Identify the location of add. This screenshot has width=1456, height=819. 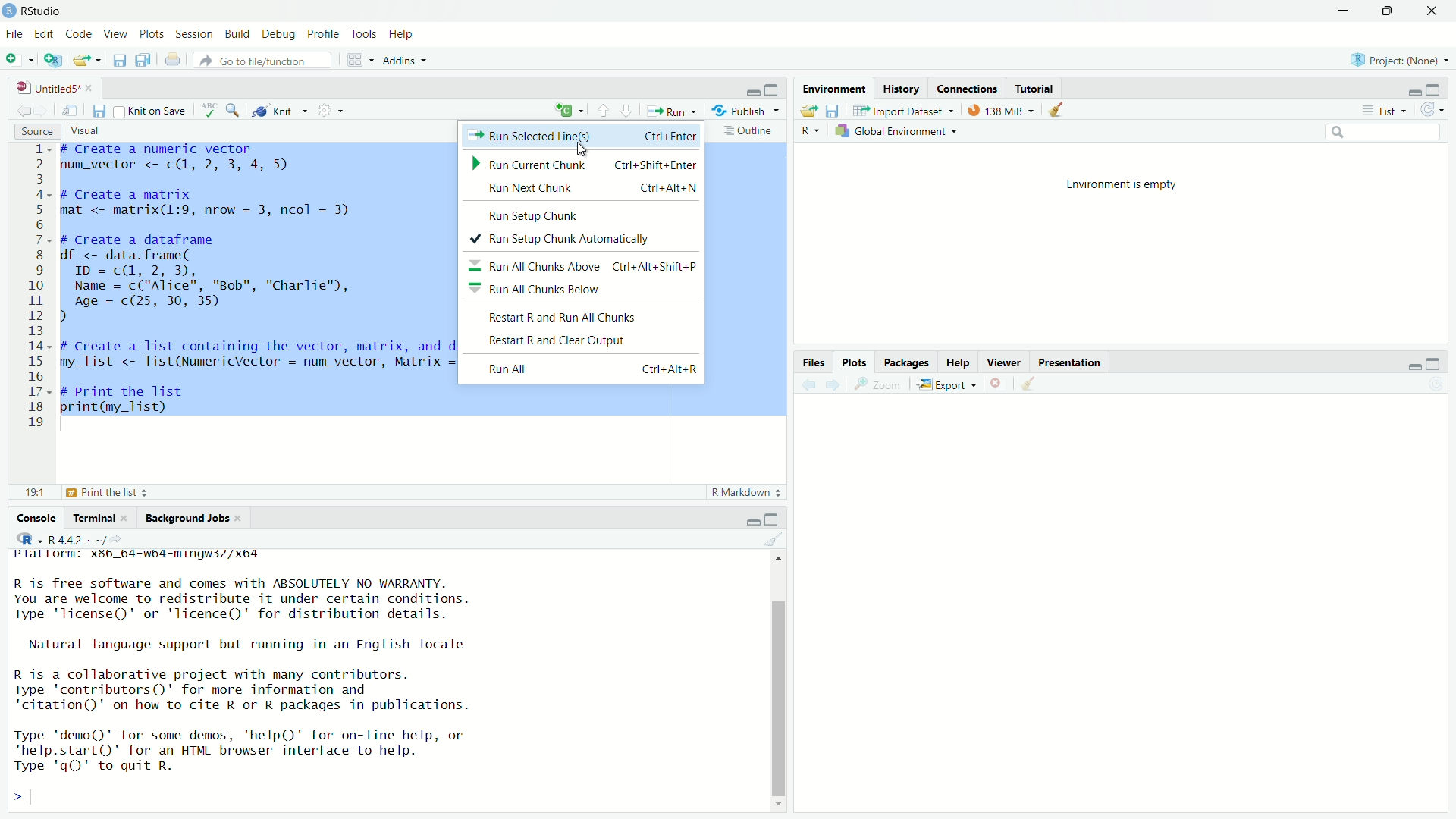
(568, 111).